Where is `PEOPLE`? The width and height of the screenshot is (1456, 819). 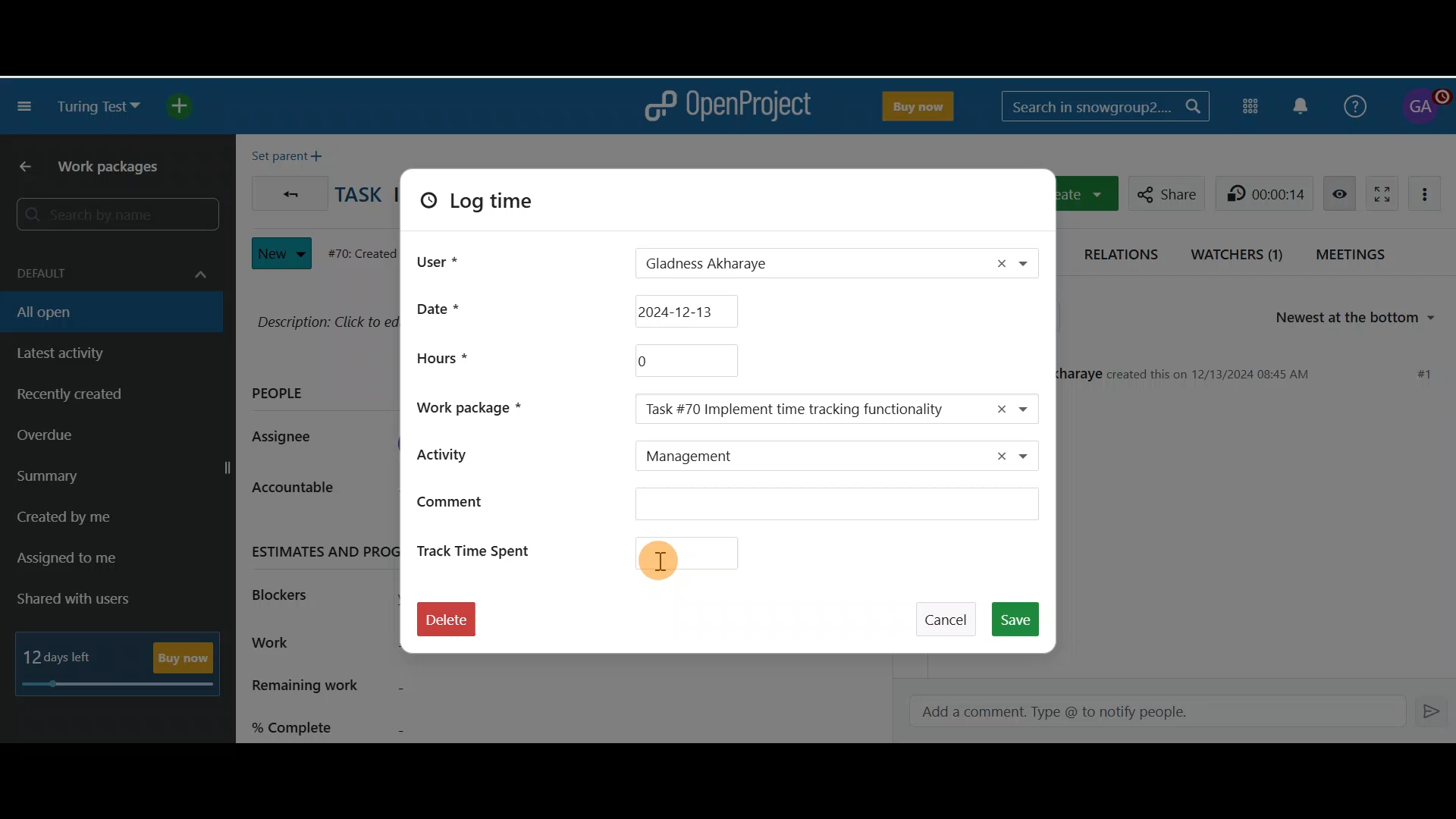 PEOPLE is located at coordinates (279, 396).